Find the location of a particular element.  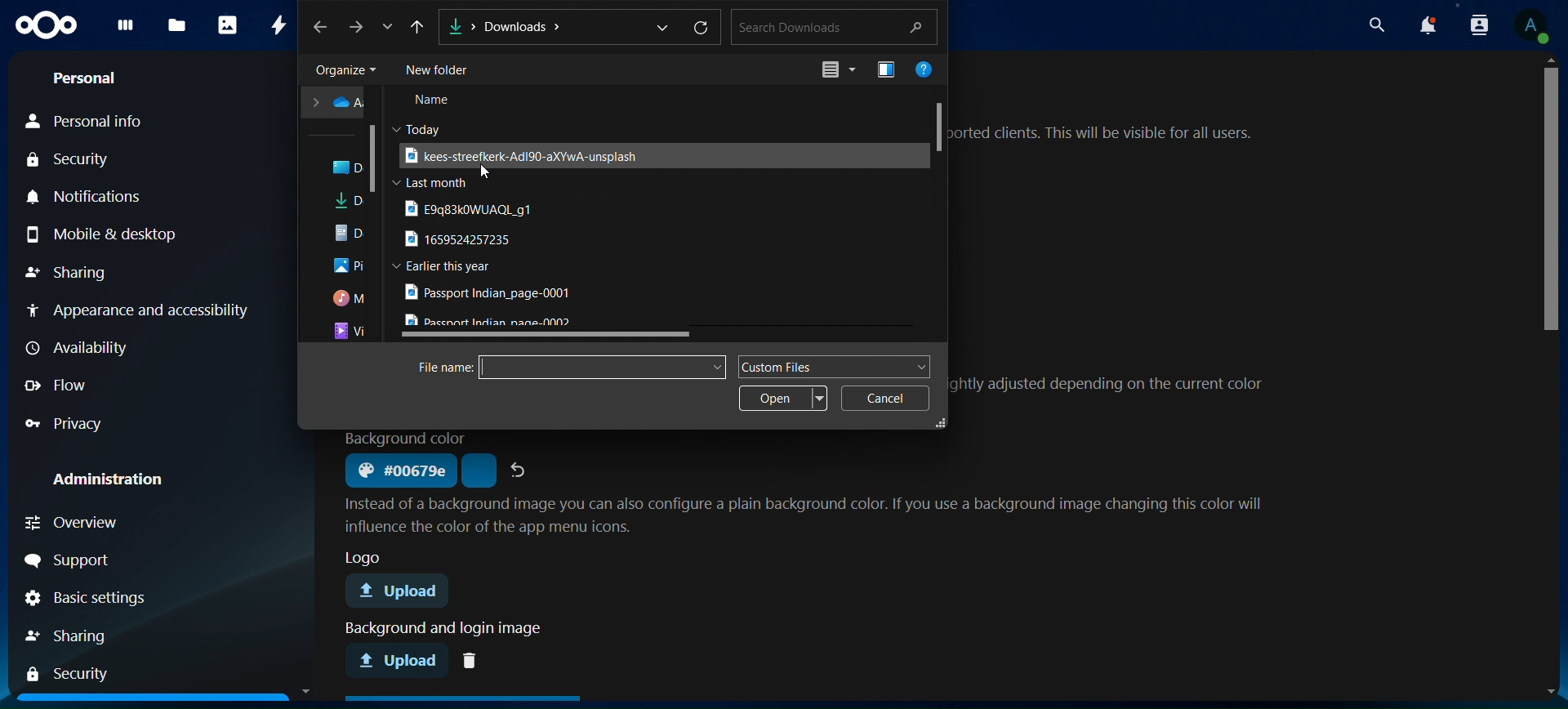

security is located at coordinates (74, 673).